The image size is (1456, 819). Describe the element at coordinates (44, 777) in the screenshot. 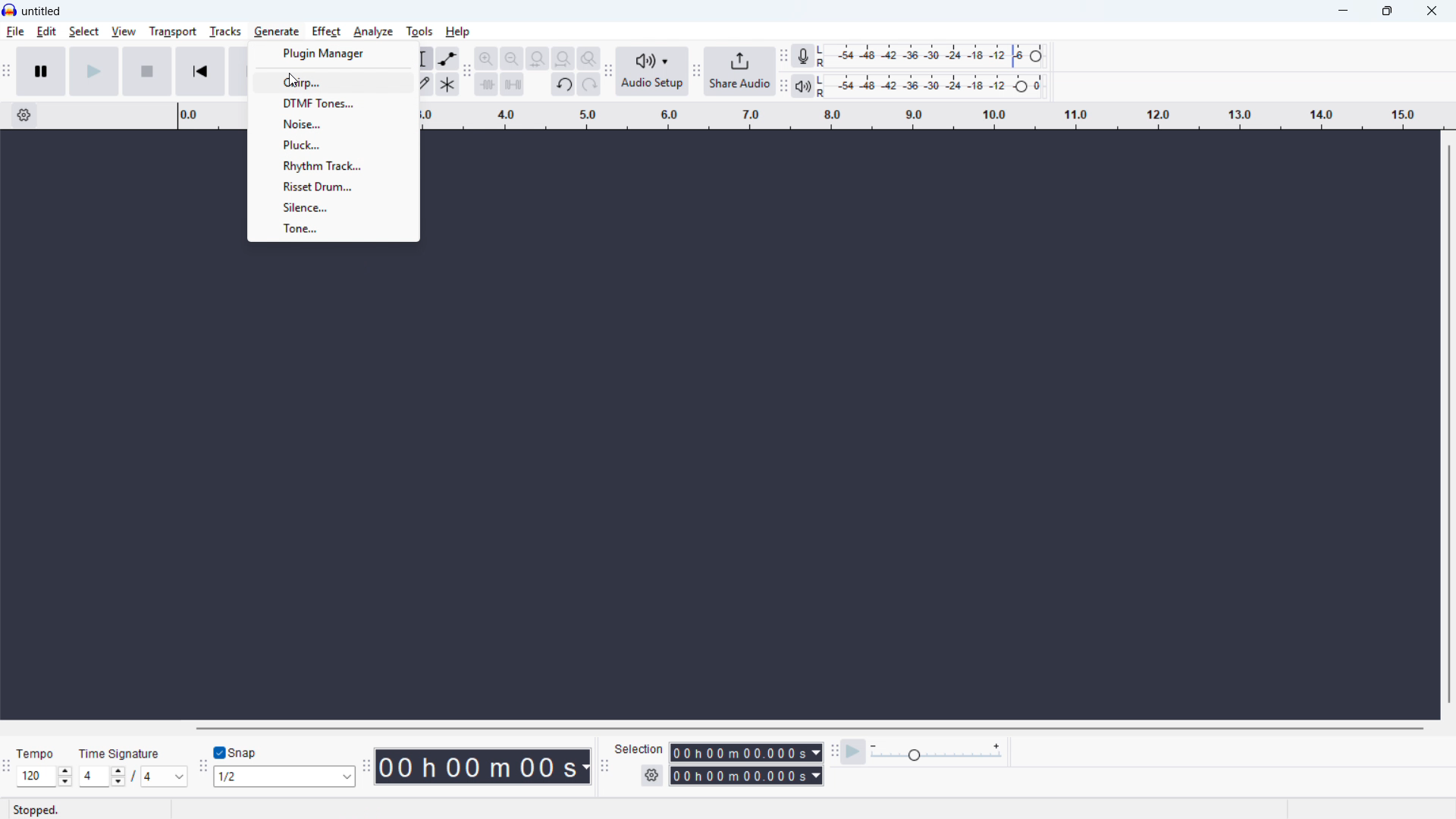

I see `Set tempo ` at that location.